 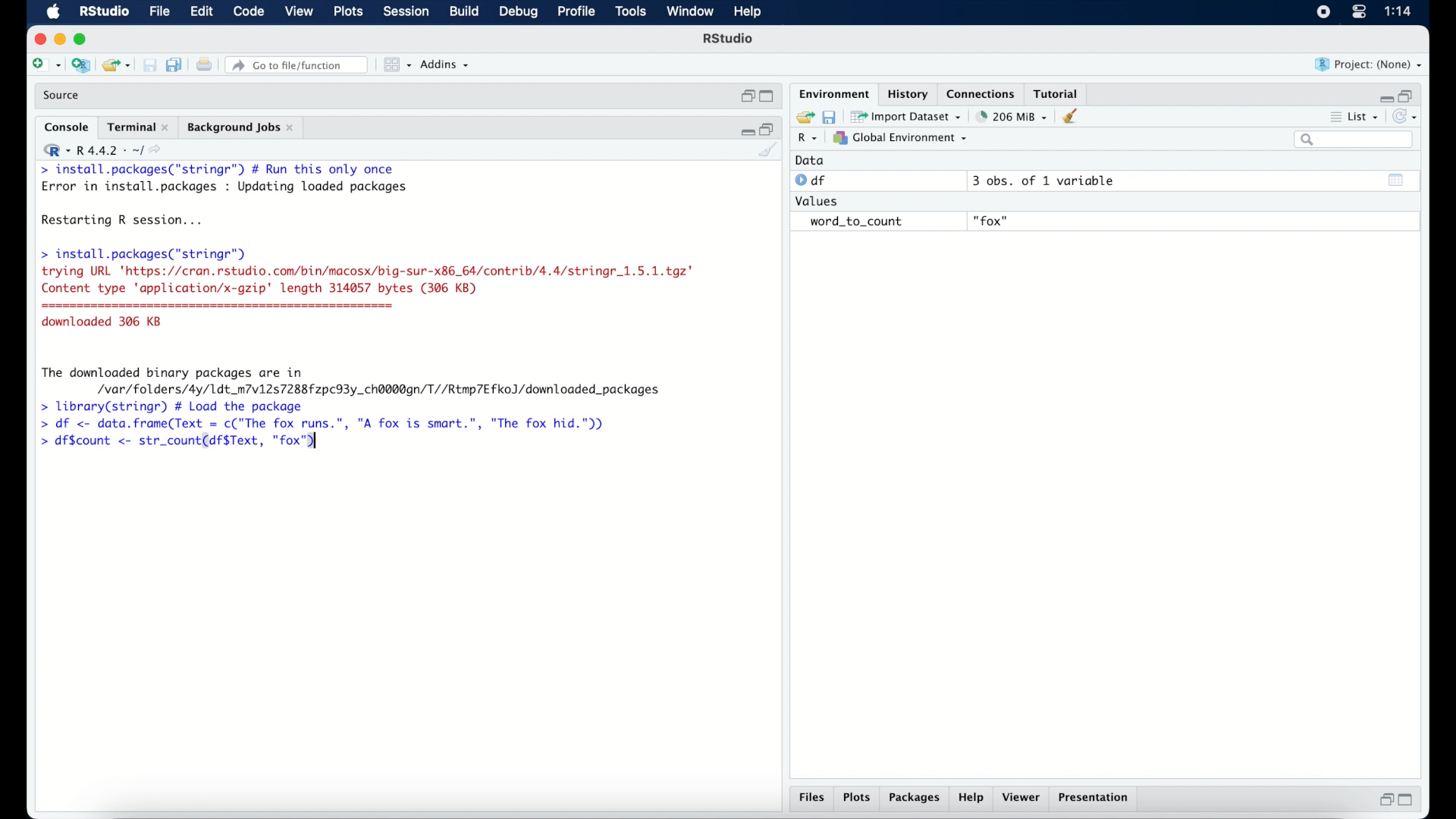 I want to click on show output window, so click(x=1397, y=180).